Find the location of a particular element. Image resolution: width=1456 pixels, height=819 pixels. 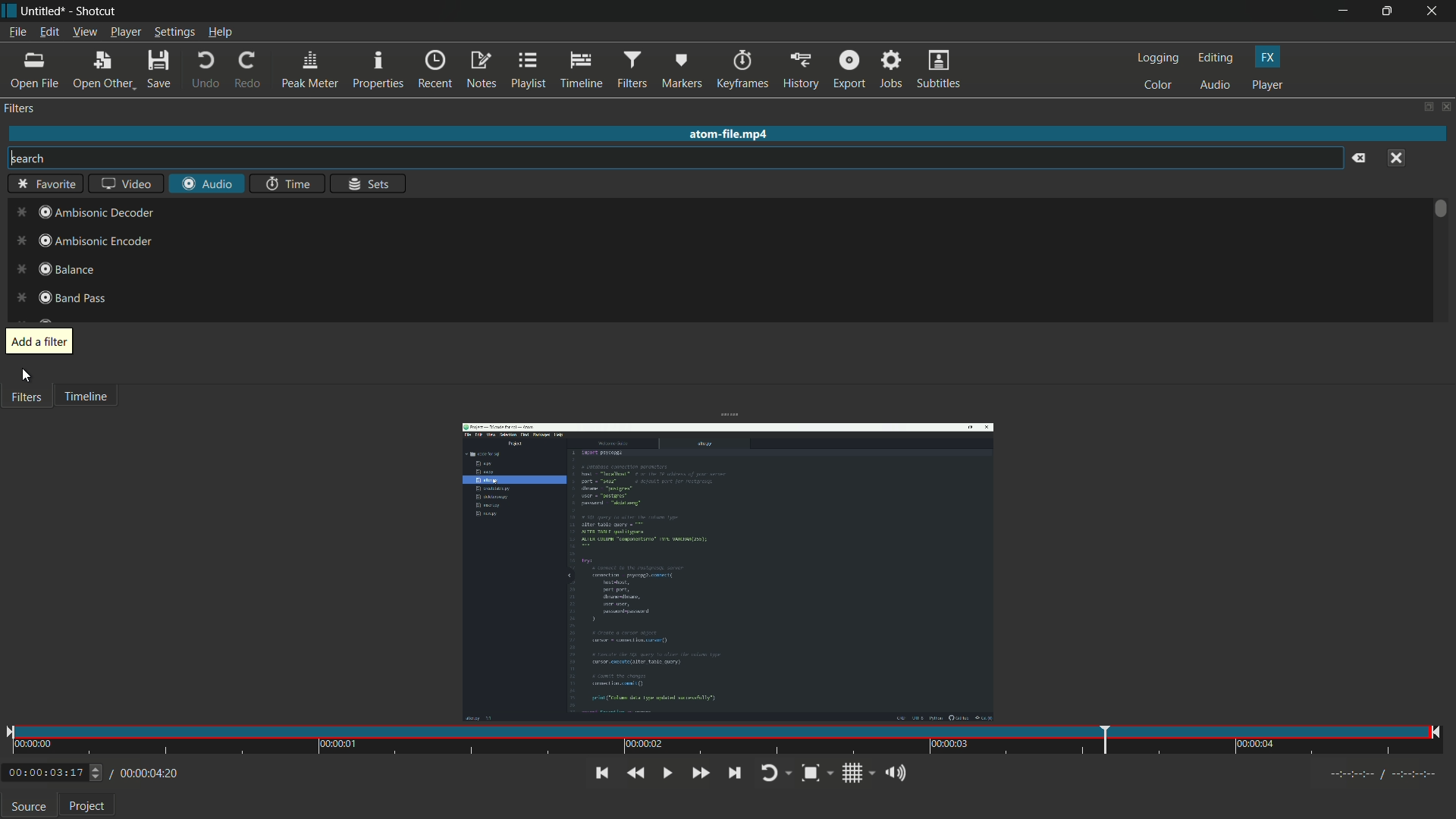

 / 00:00:04:20 (total time) is located at coordinates (146, 771).